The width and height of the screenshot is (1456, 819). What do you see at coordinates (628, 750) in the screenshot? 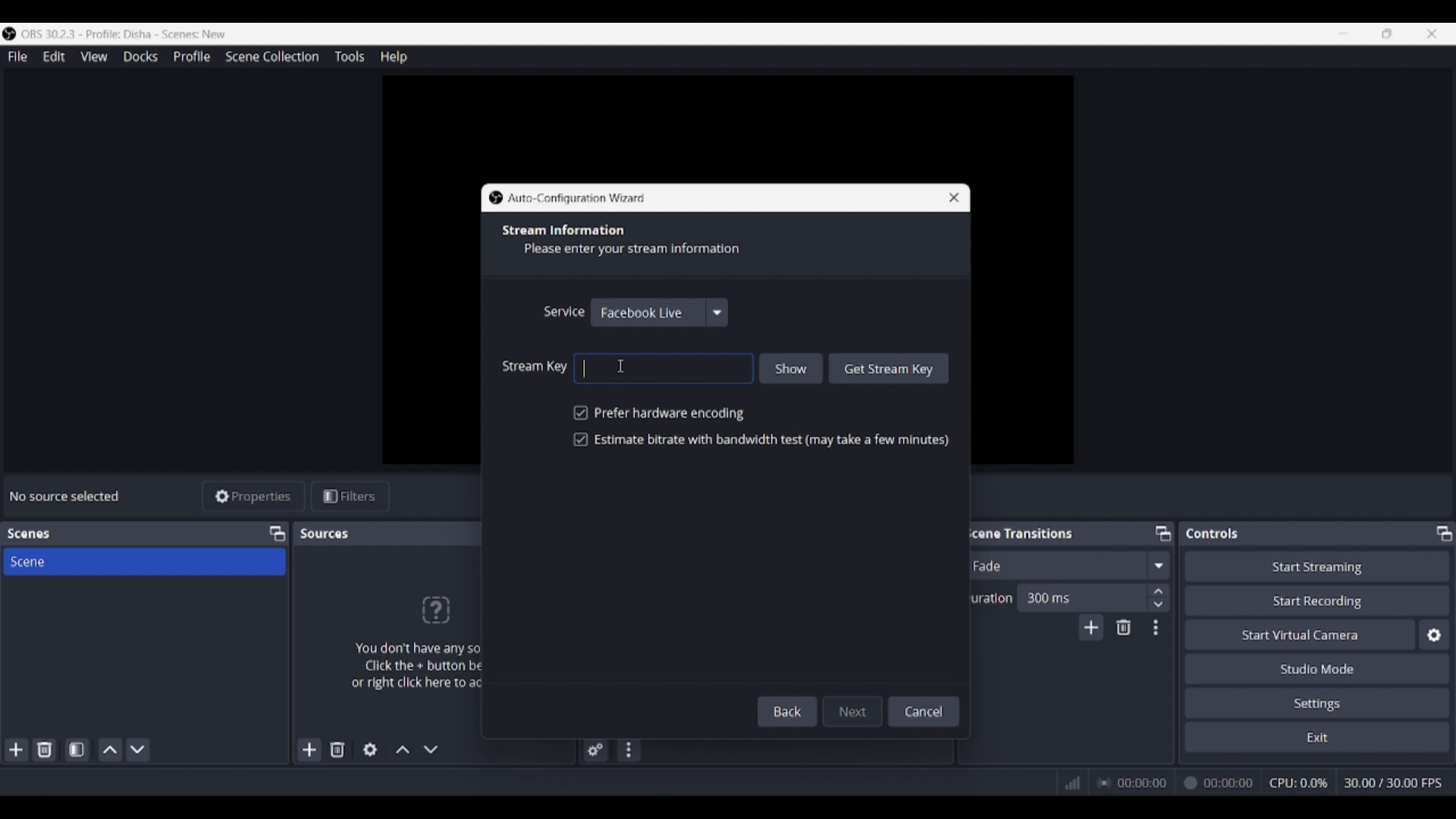
I see `Audio mixer menu` at bounding box center [628, 750].